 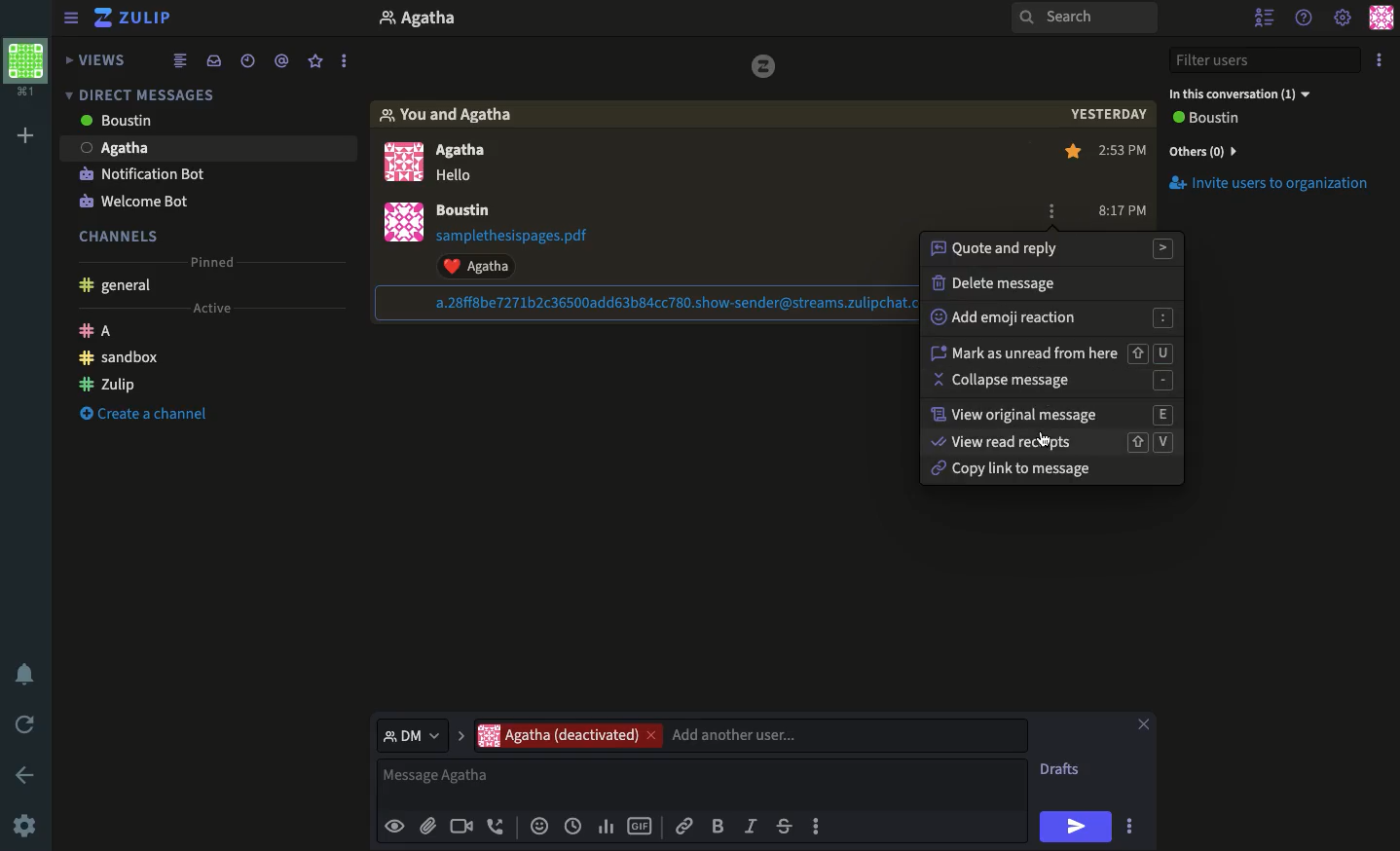 What do you see at coordinates (705, 784) in the screenshot?
I see `Message` at bounding box center [705, 784].